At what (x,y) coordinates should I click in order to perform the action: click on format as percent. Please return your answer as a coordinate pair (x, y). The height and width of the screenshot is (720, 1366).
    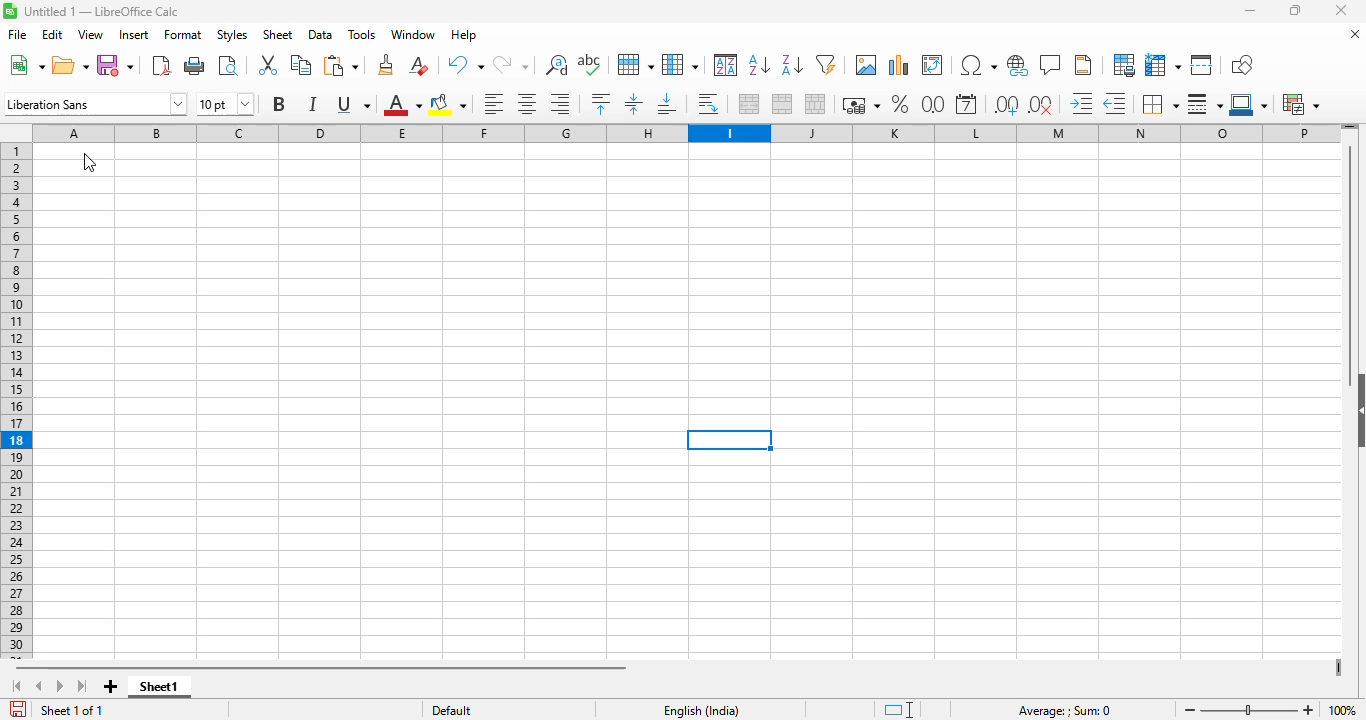
    Looking at the image, I should click on (899, 104).